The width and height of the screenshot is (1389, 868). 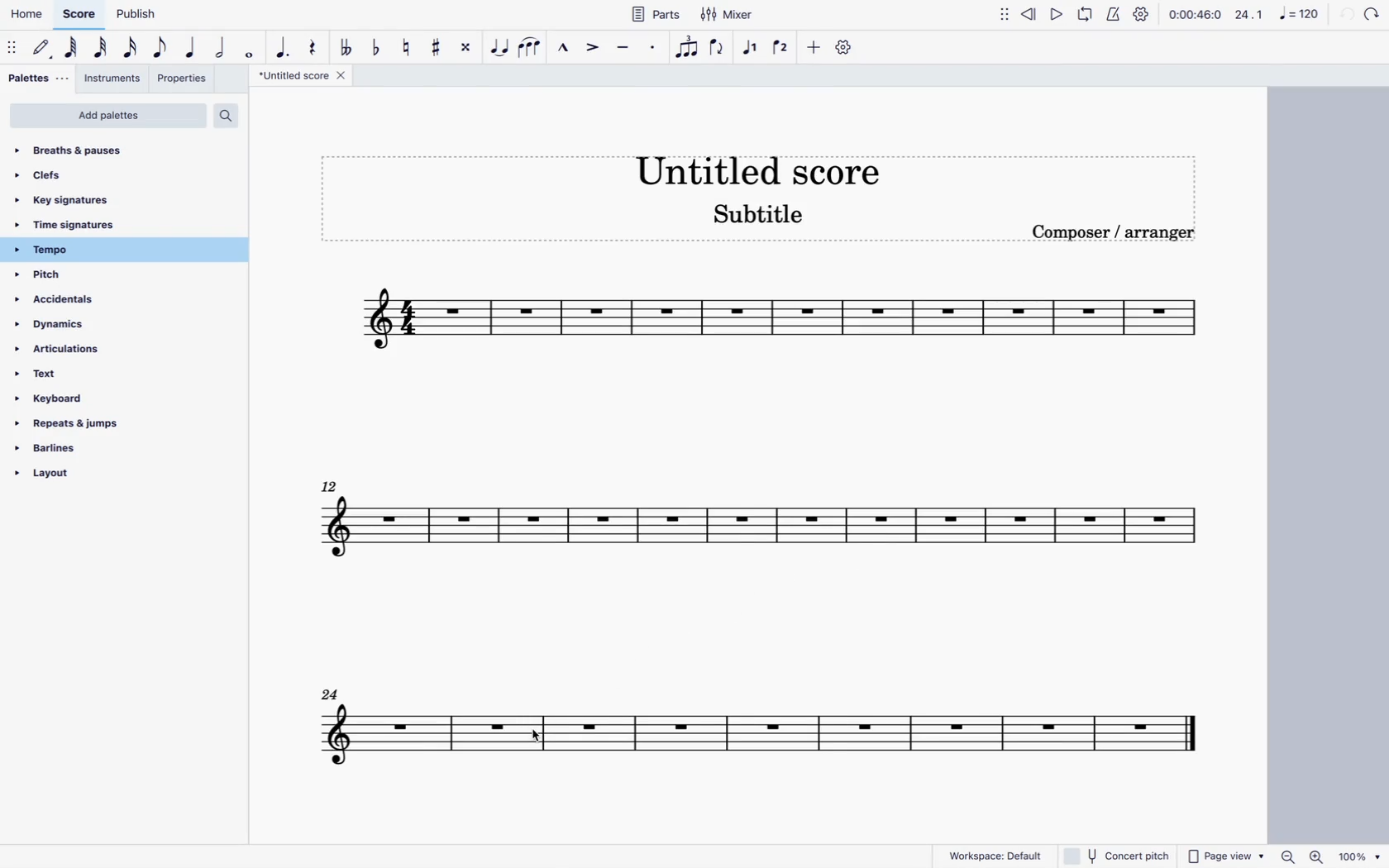 What do you see at coordinates (69, 347) in the screenshot?
I see `articulations` at bounding box center [69, 347].